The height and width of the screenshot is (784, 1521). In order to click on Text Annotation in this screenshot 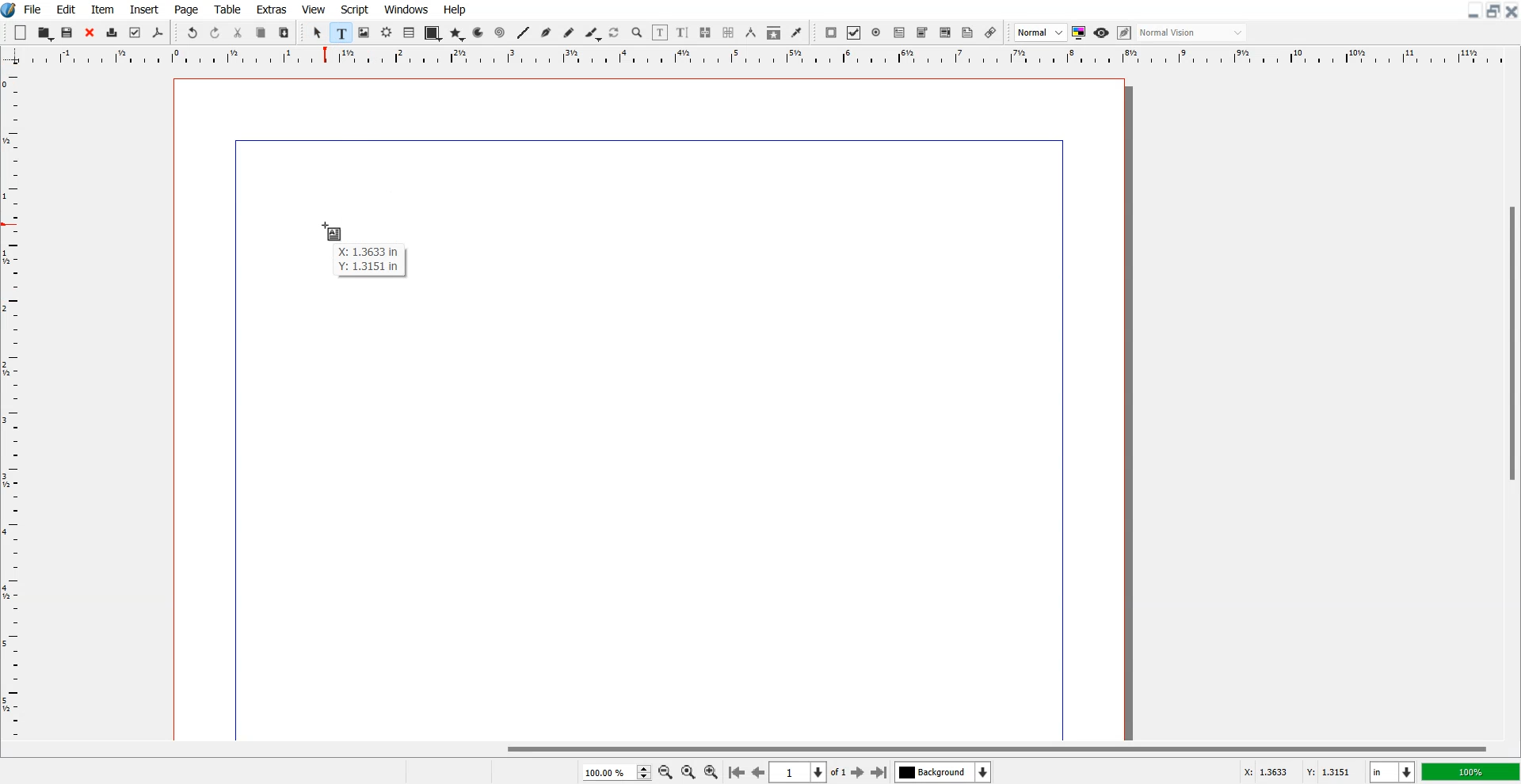, I will do `click(967, 33)`.